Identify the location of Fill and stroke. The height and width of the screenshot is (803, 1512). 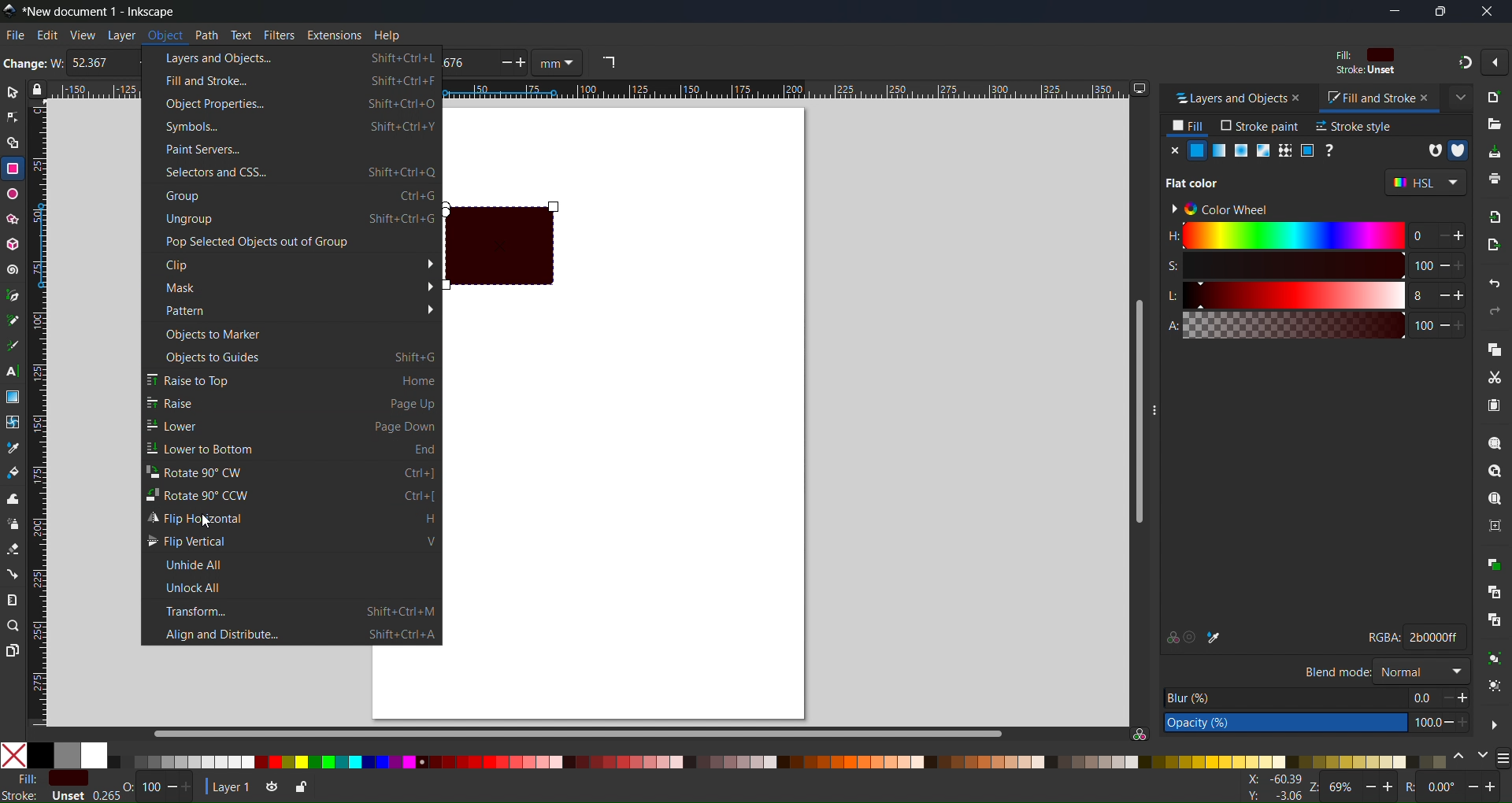
(291, 80).